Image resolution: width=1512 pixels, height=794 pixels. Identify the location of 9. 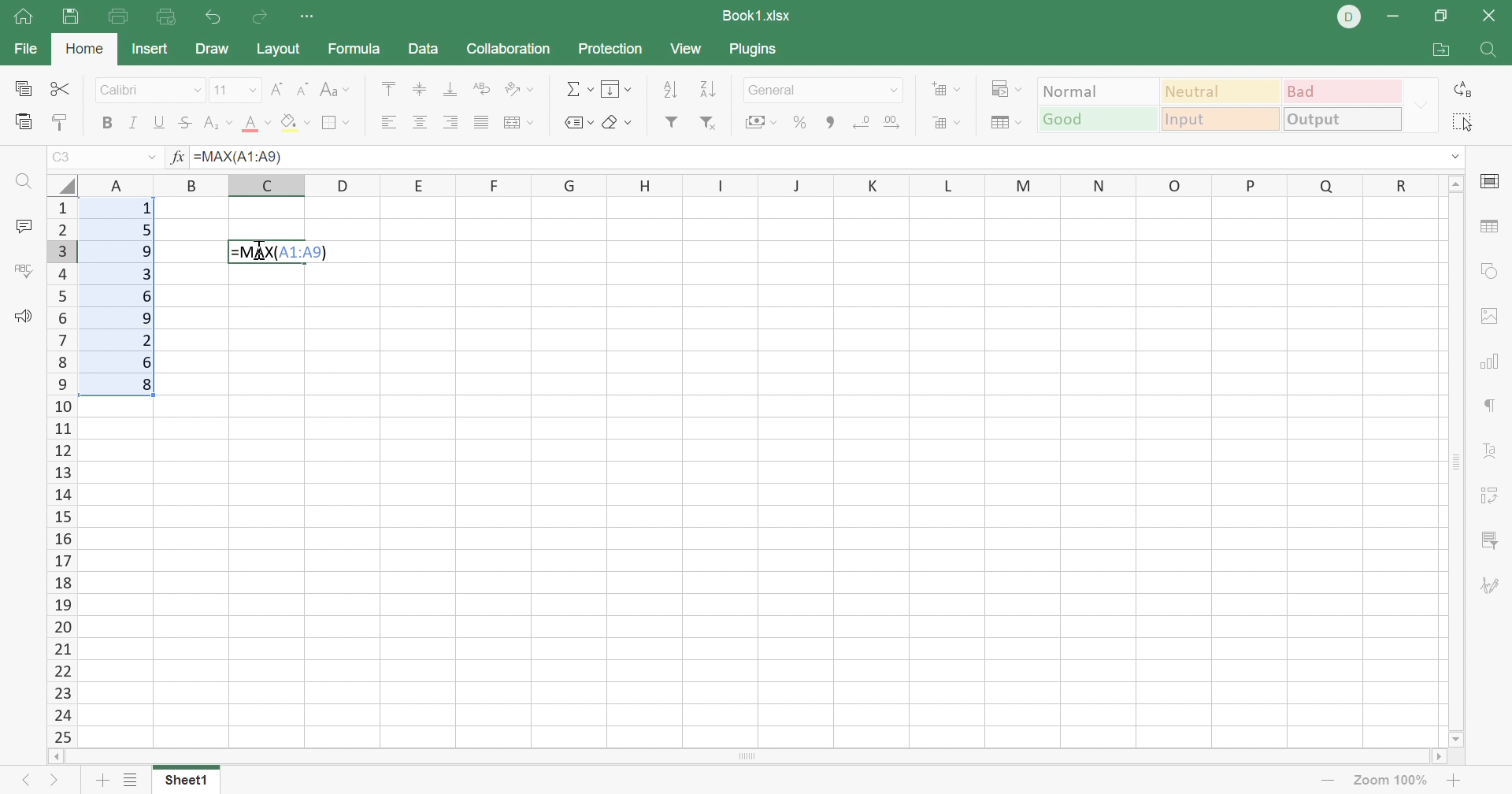
(147, 254).